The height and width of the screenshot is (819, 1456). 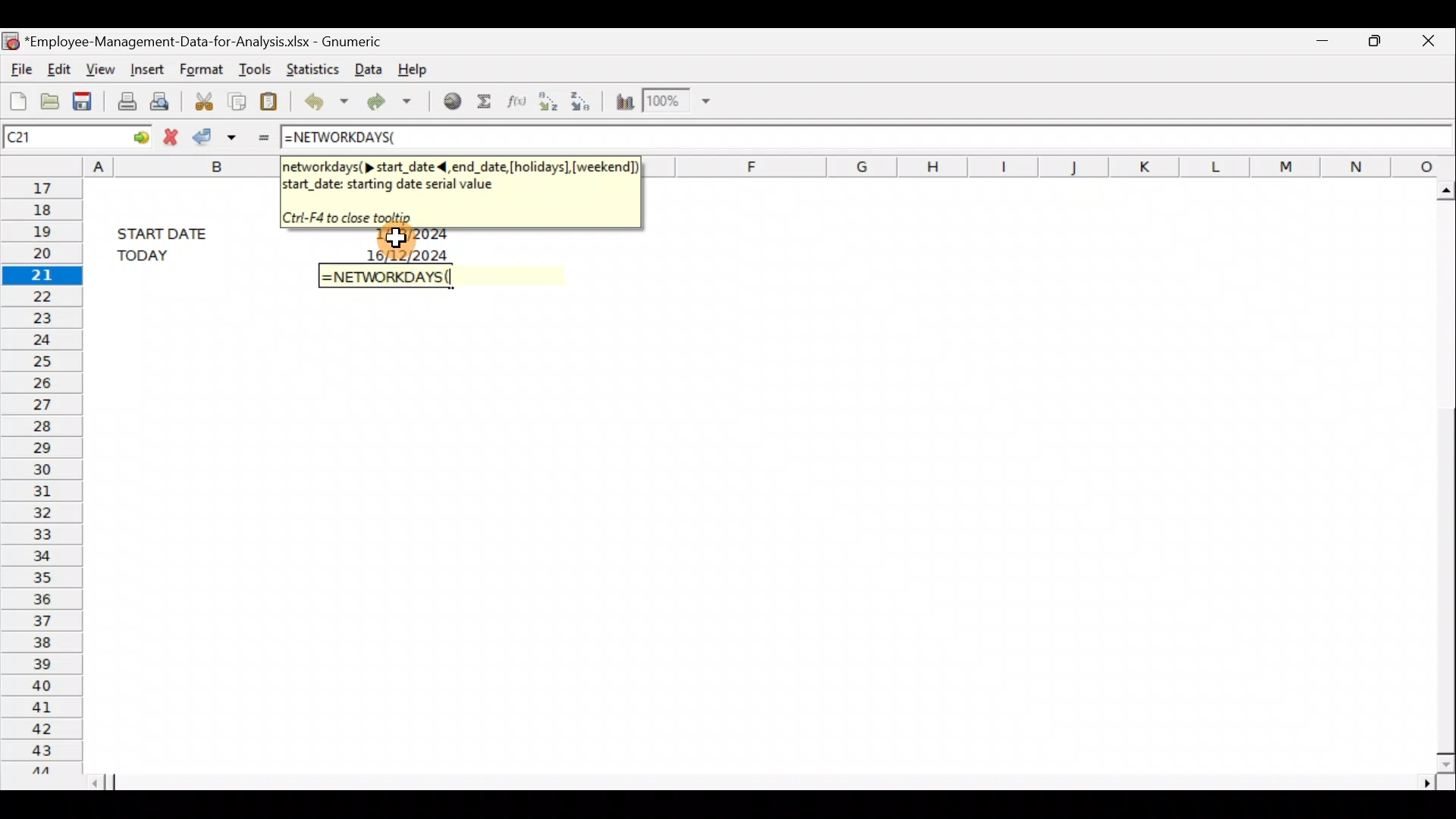 What do you see at coordinates (309, 67) in the screenshot?
I see `Statistics` at bounding box center [309, 67].